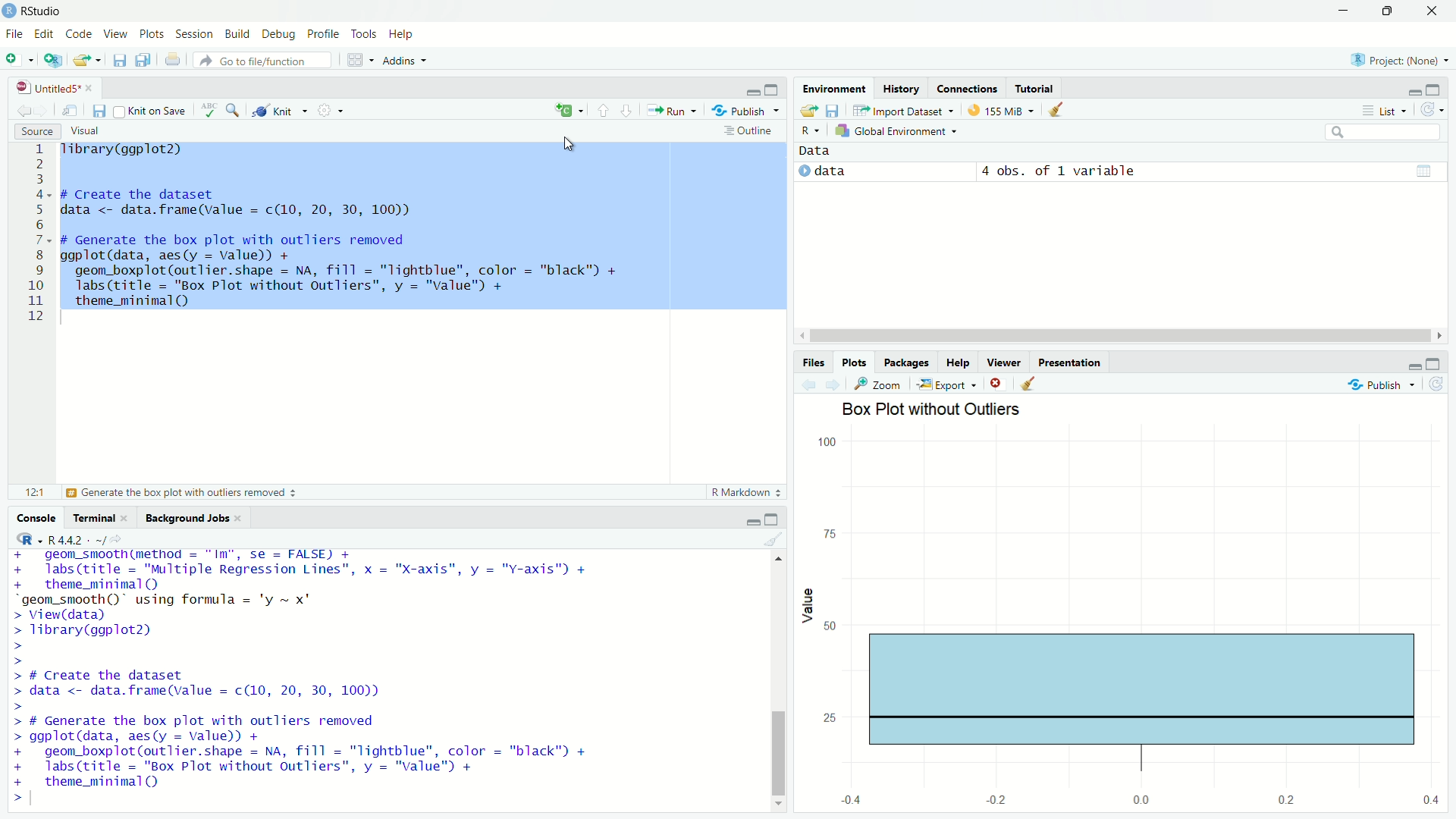 This screenshot has height=819, width=1456. Describe the element at coordinates (118, 61) in the screenshot. I see `files` at that location.